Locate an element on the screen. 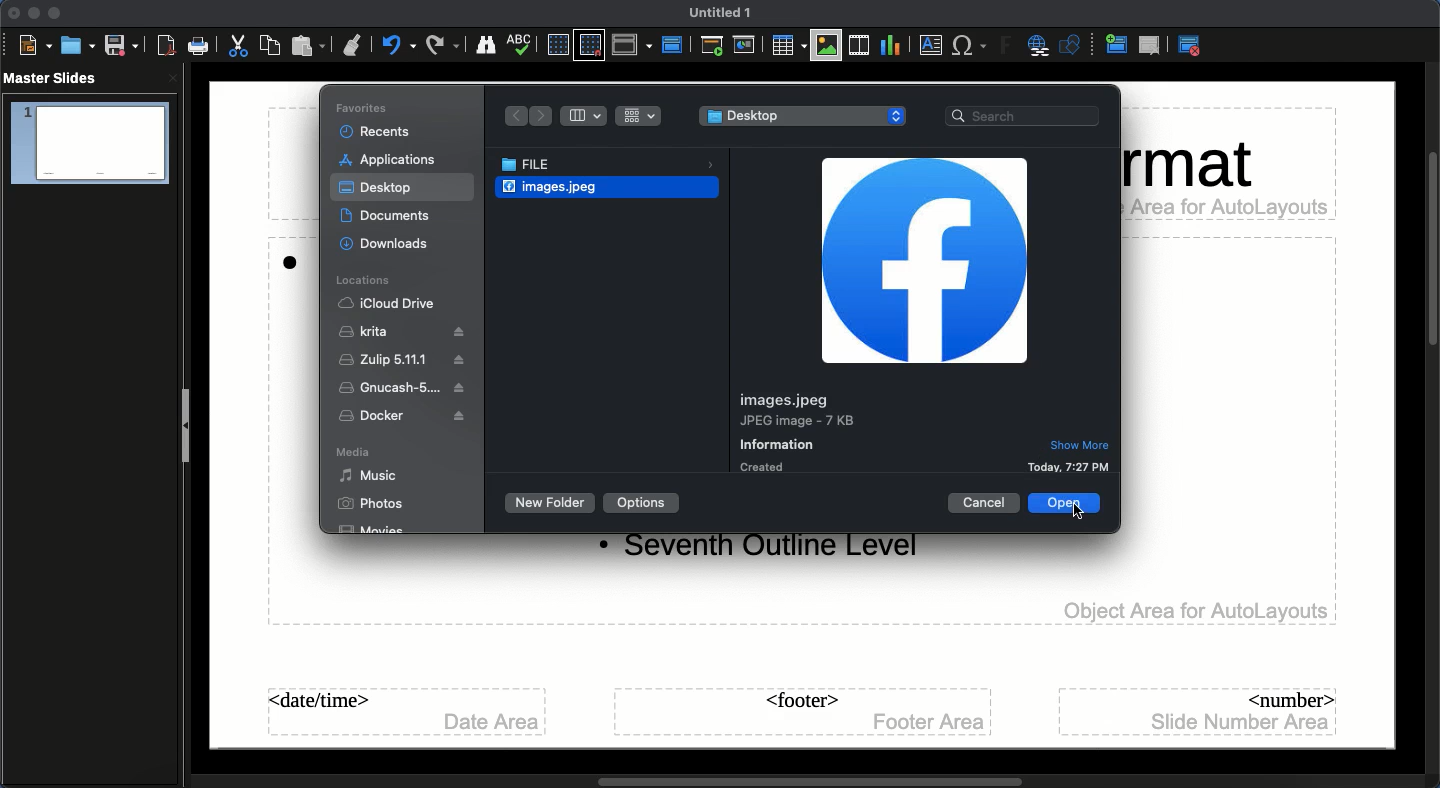 The width and height of the screenshot is (1440, 788). New folder is located at coordinates (550, 502).